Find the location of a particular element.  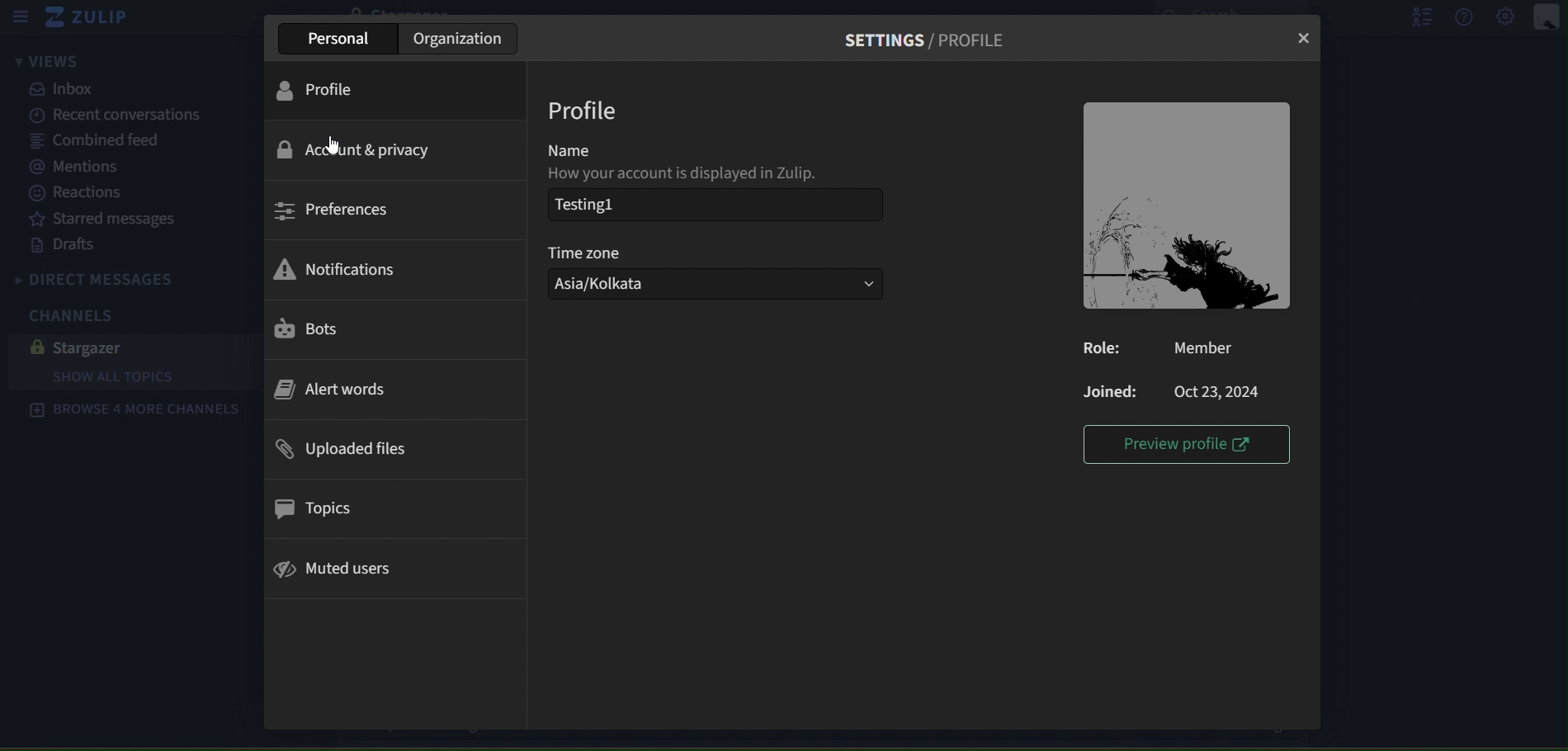

settings/Profile is located at coordinates (931, 38).